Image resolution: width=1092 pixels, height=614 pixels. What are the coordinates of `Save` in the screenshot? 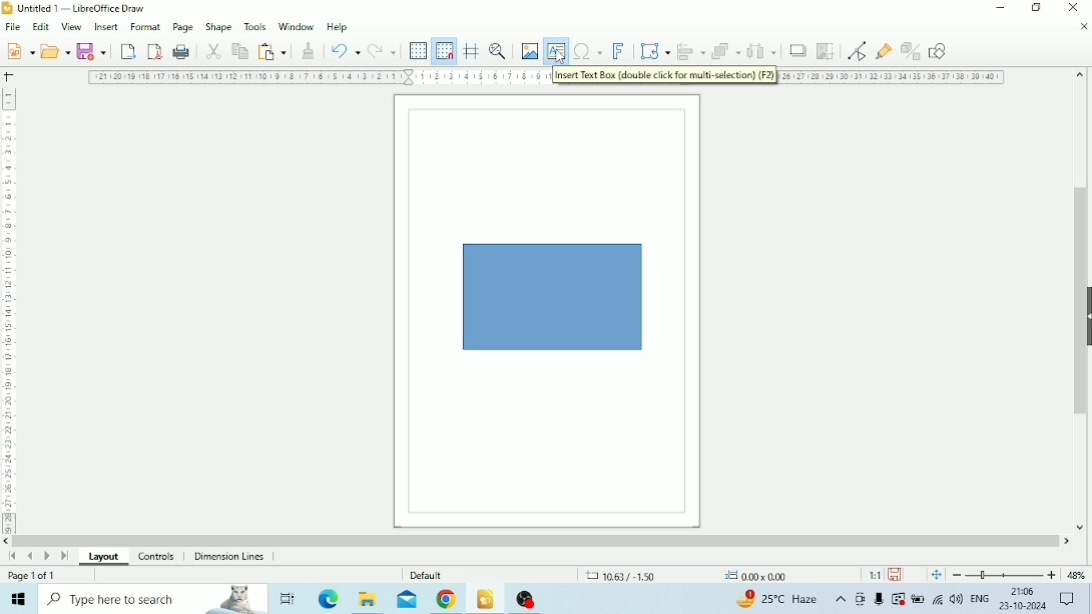 It's located at (896, 574).